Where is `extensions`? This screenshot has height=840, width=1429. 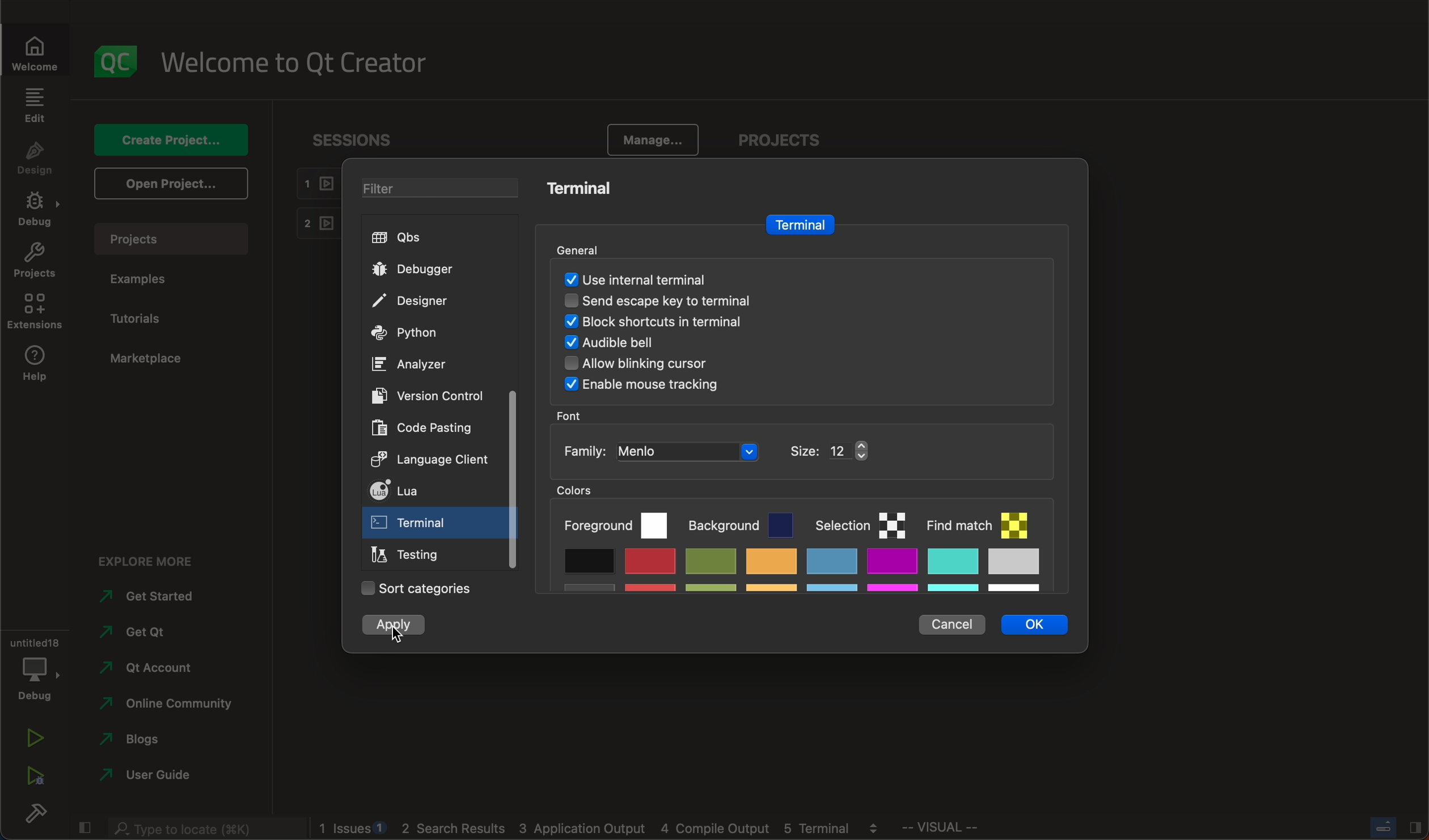
extensions is located at coordinates (38, 313).